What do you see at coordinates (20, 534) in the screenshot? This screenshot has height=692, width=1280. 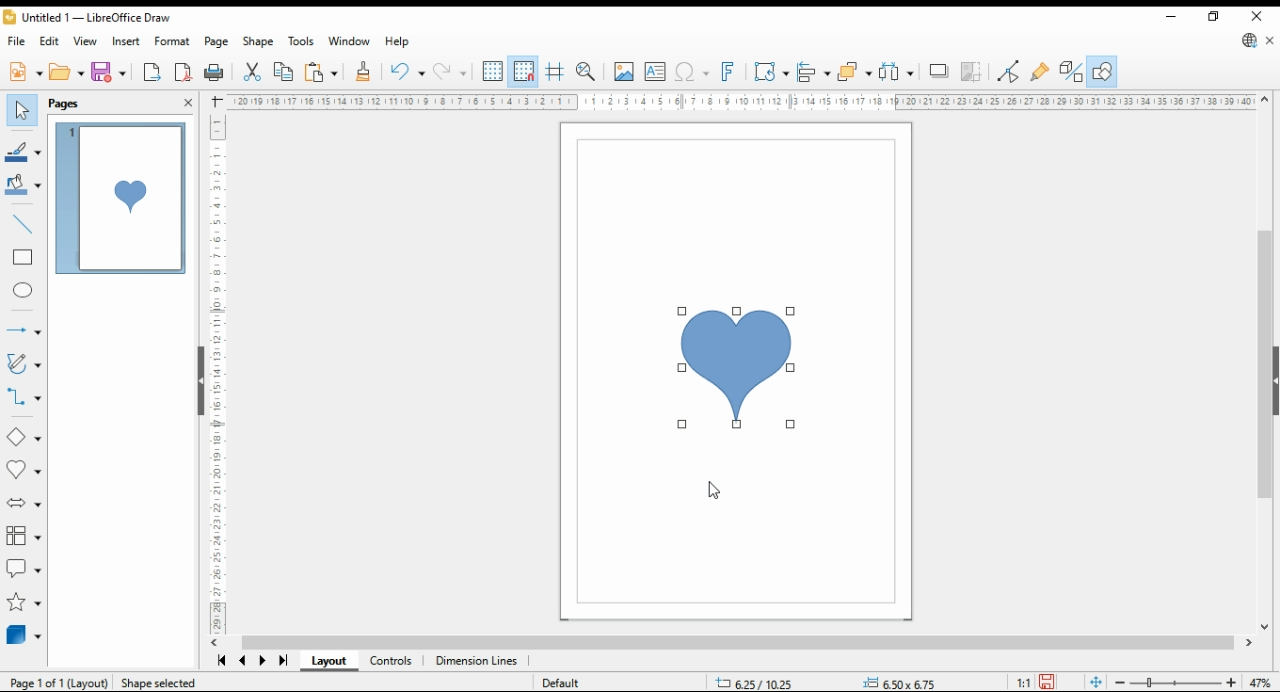 I see `flowchart` at bounding box center [20, 534].